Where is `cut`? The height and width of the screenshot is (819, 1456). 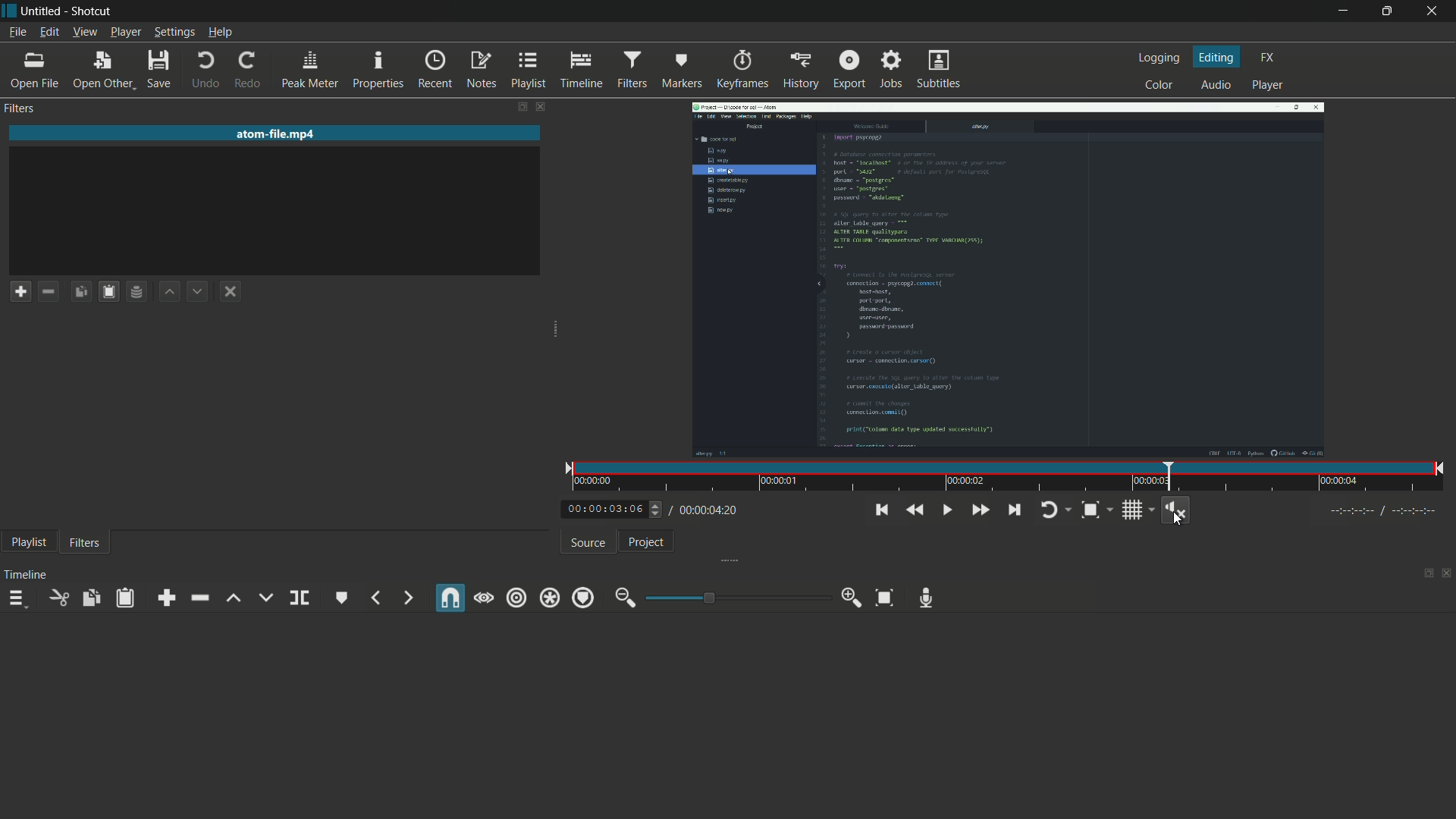
cut is located at coordinates (56, 598).